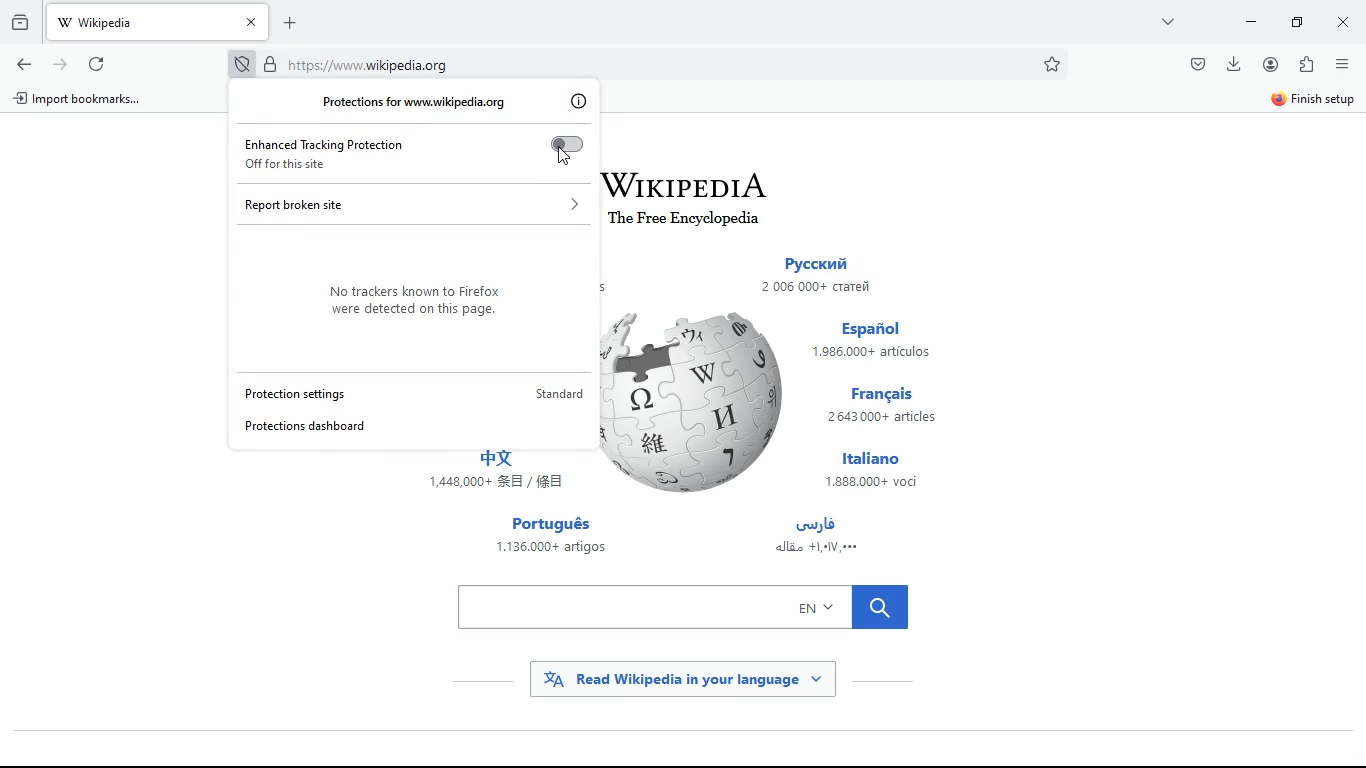 The height and width of the screenshot is (768, 1366). Describe the element at coordinates (692, 399) in the screenshot. I see `wikipedia logo` at that location.